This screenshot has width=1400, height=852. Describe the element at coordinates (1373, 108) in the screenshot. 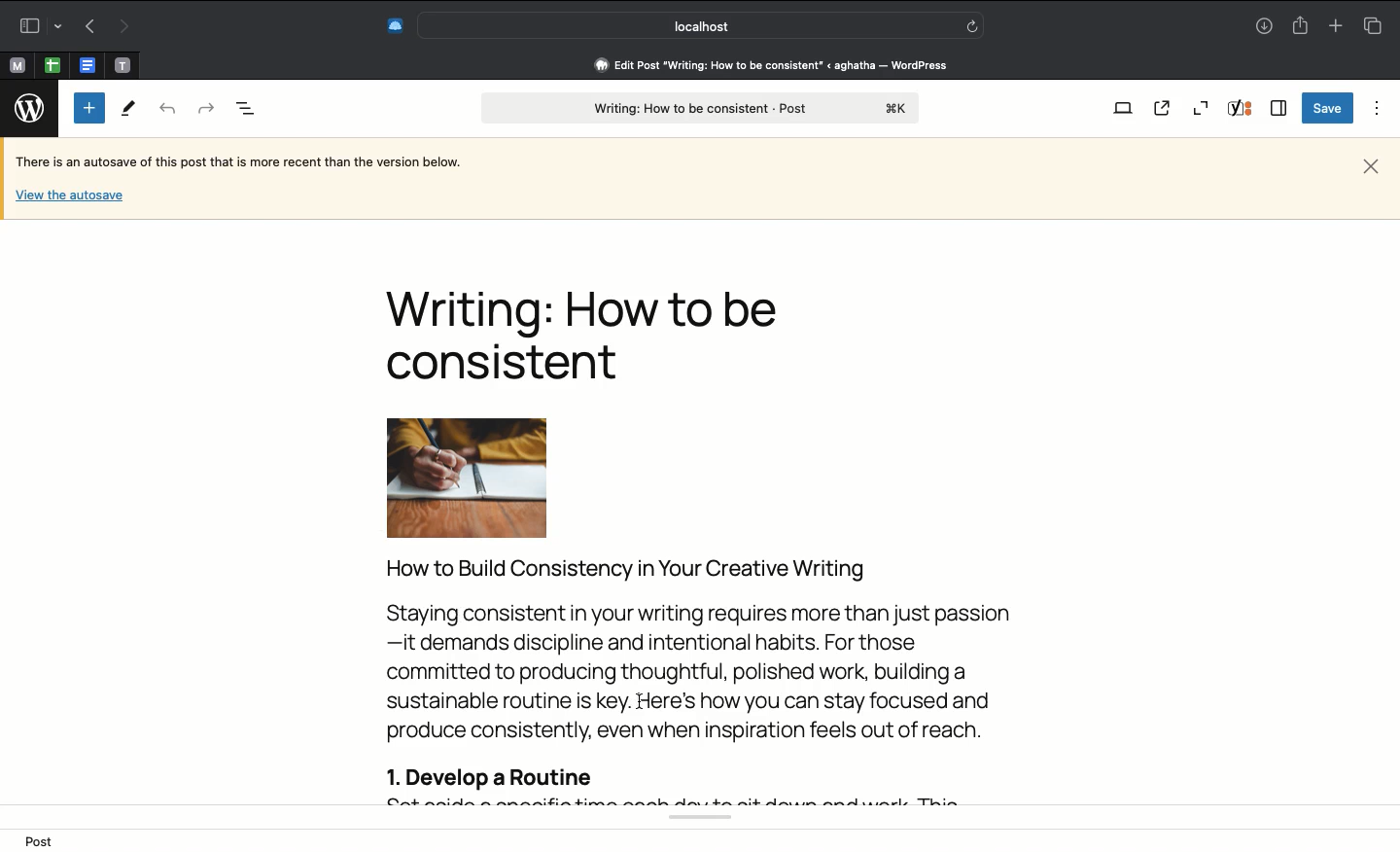

I see `Options` at that location.